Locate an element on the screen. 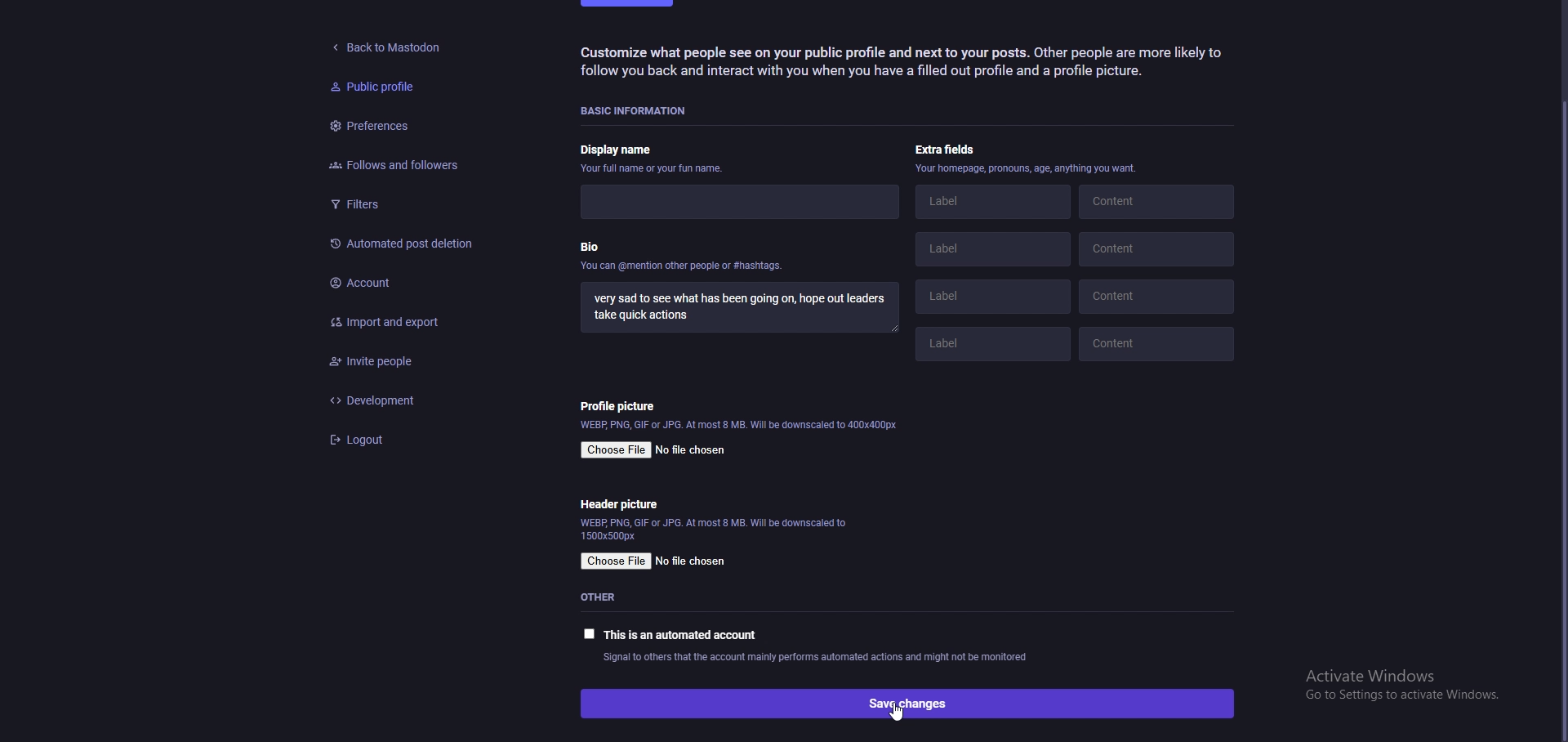 This screenshot has width=1568, height=742. label is located at coordinates (998, 297).